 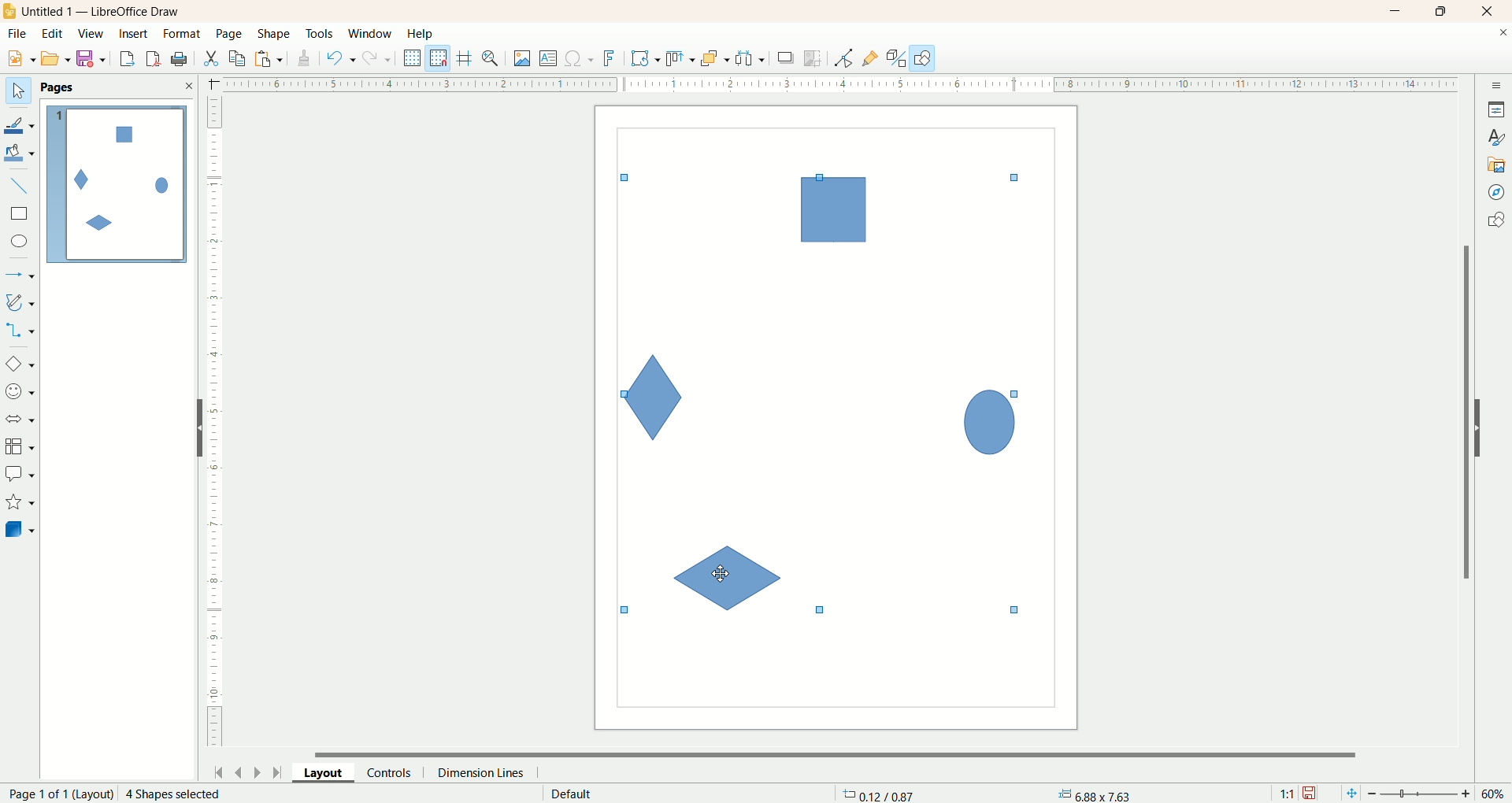 I want to click on helplines, so click(x=467, y=58).